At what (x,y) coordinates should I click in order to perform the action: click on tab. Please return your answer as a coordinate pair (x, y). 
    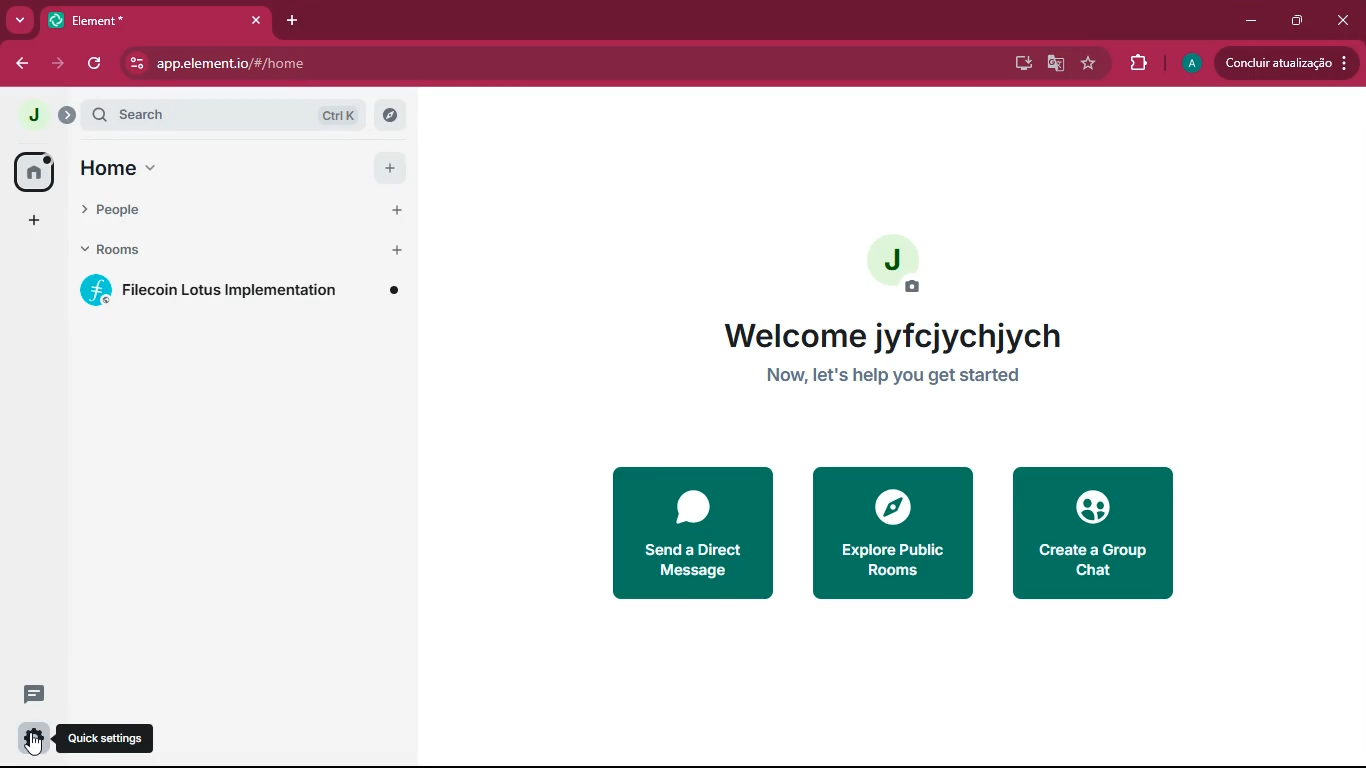
    Looking at the image, I should click on (153, 20).